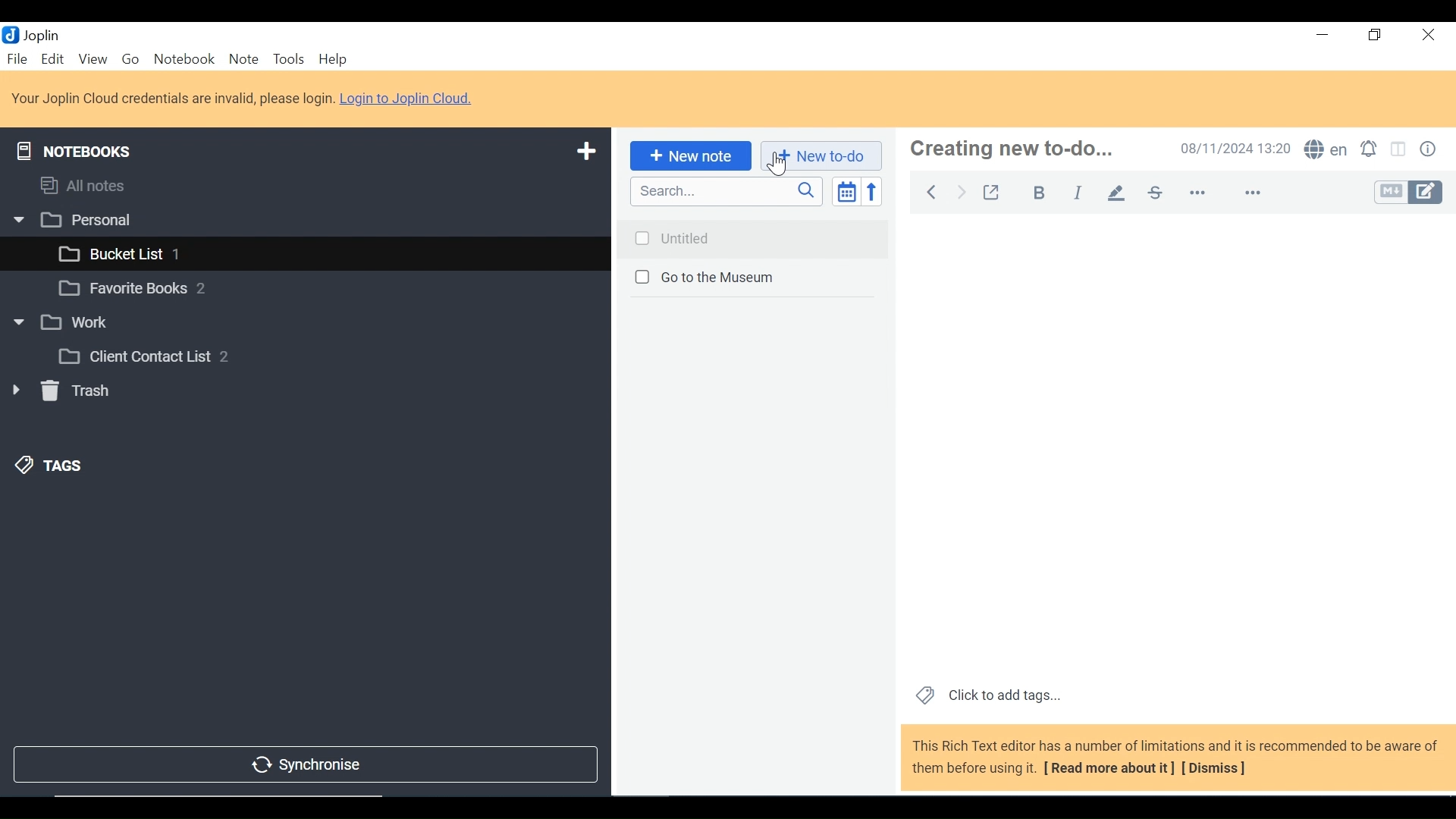 The width and height of the screenshot is (1456, 819). Describe the element at coordinates (1041, 193) in the screenshot. I see `Bold` at that location.